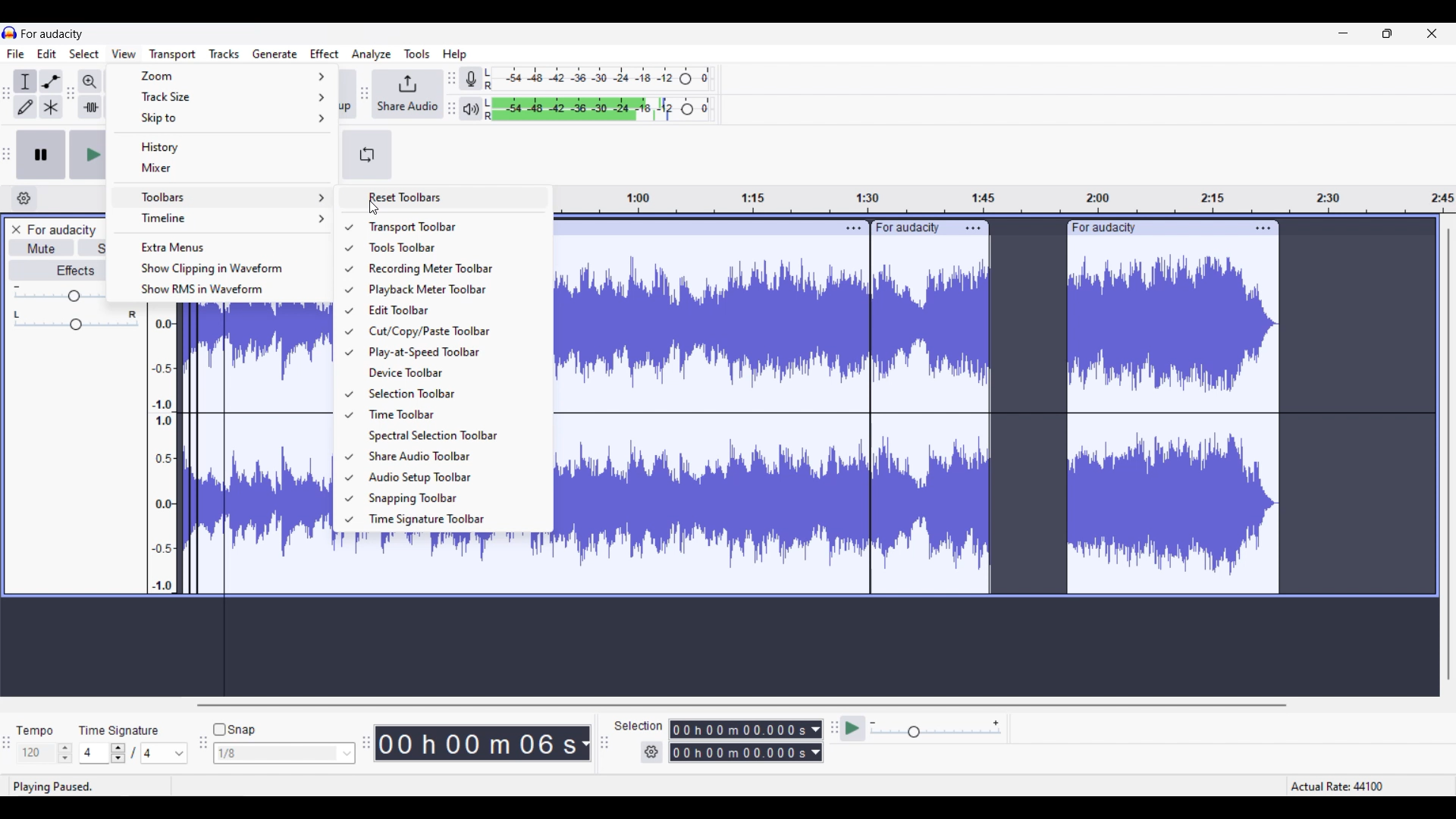  What do you see at coordinates (1262, 227) in the screenshot?
I see `track options` at bounding box center [1262, 227].